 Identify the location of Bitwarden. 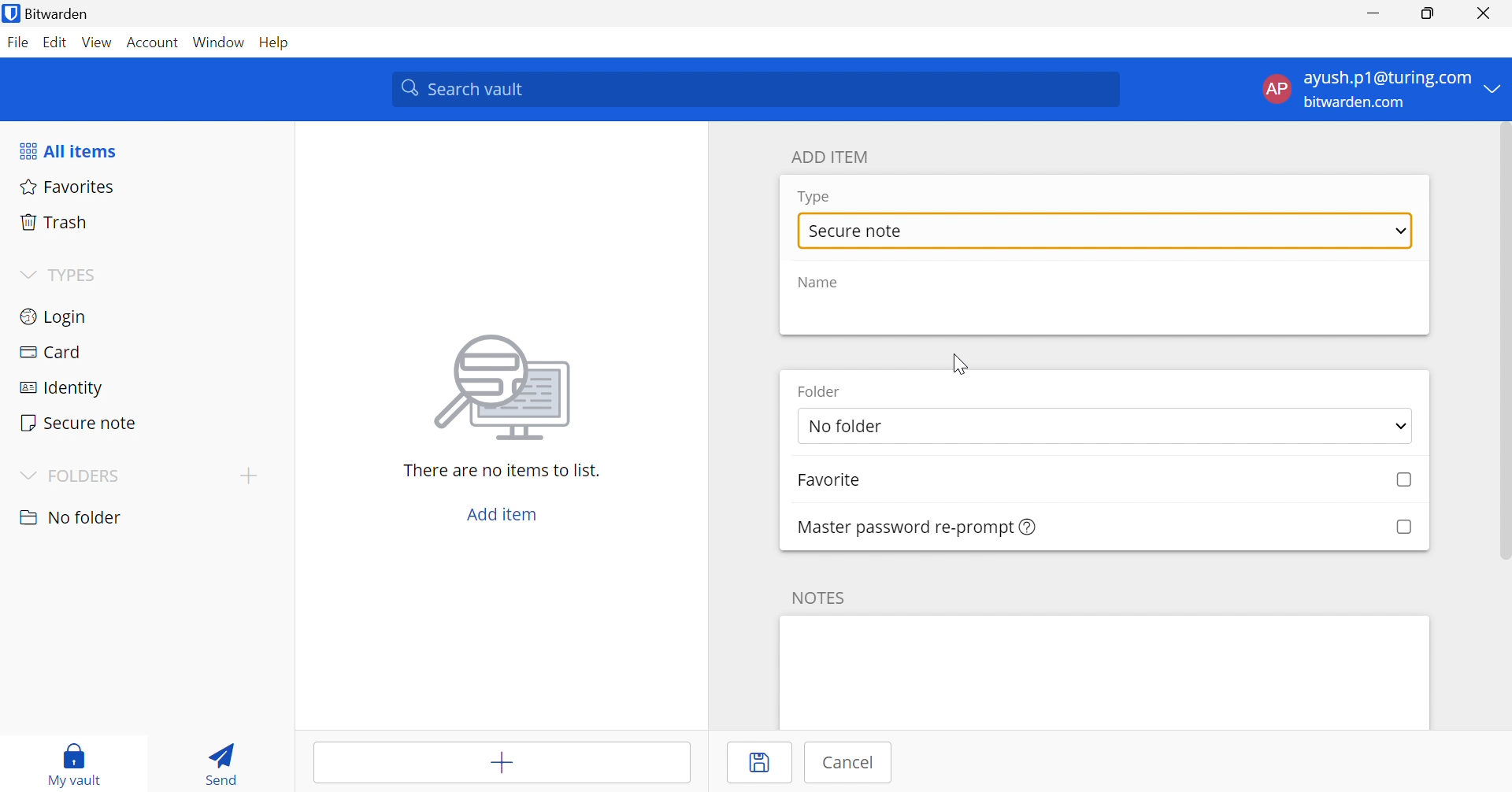
(50, 13).